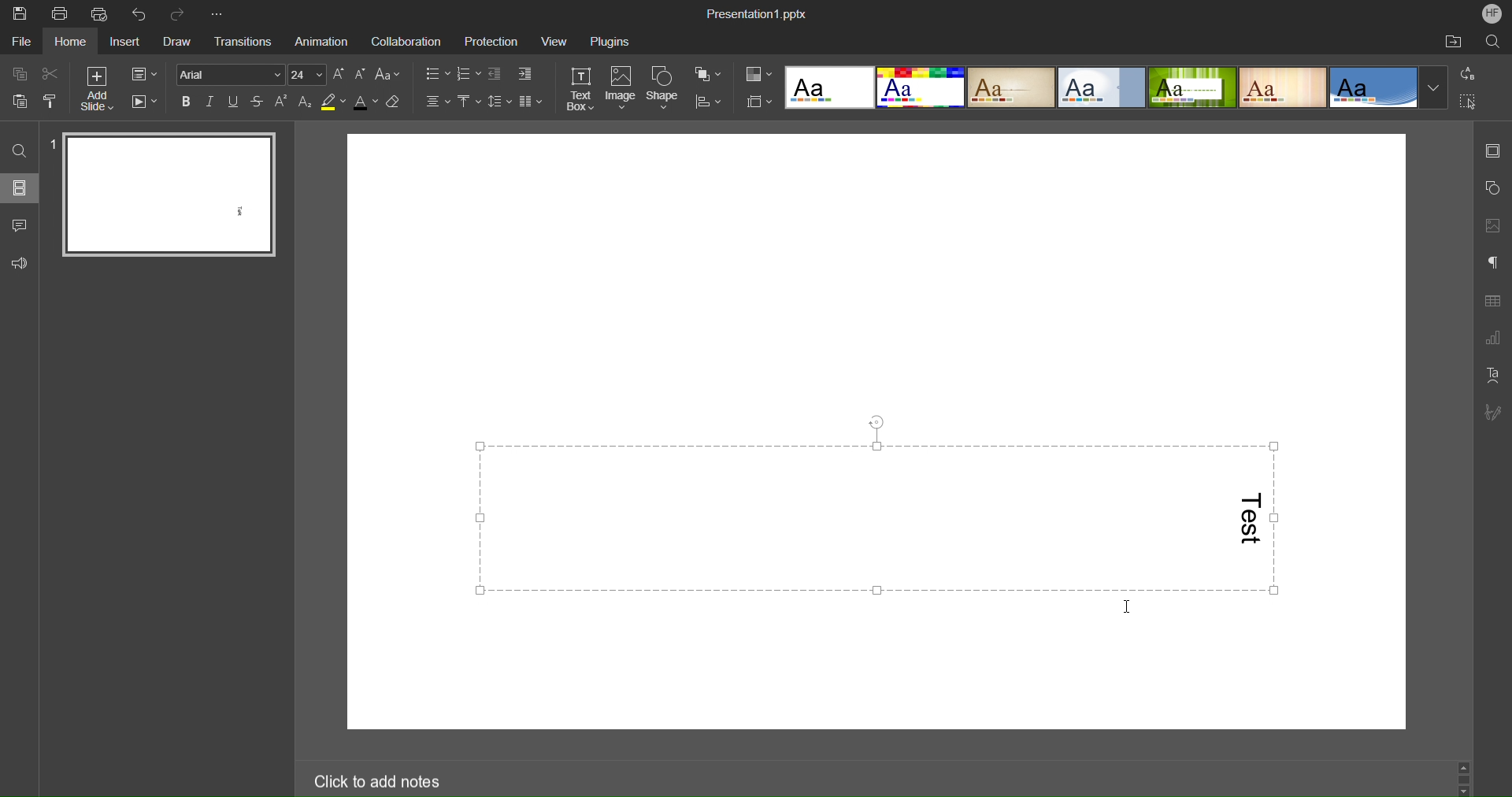 This screenshot has height=797, width=1512. What do you see at coordinates (613, 39) in the screenshot?
I see `Plugins` at bounding box center [613, 39].